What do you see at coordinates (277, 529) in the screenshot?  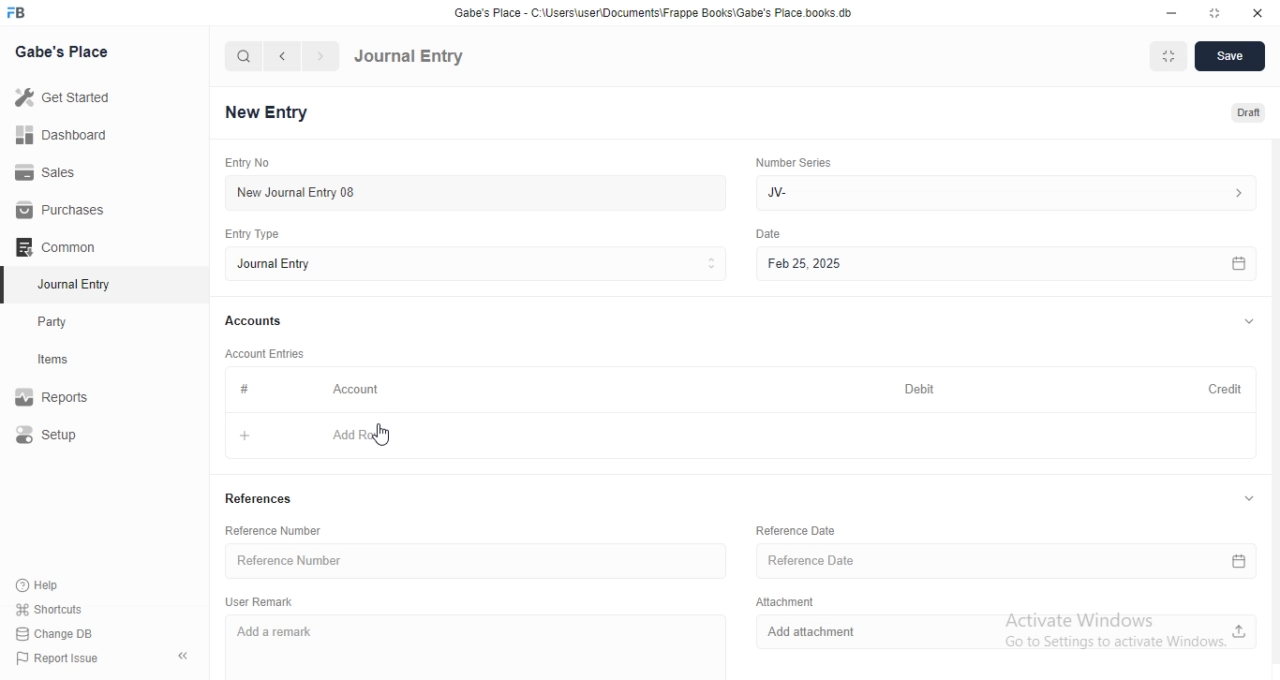 I see `Reference Number` at bounding box center [277, 529].